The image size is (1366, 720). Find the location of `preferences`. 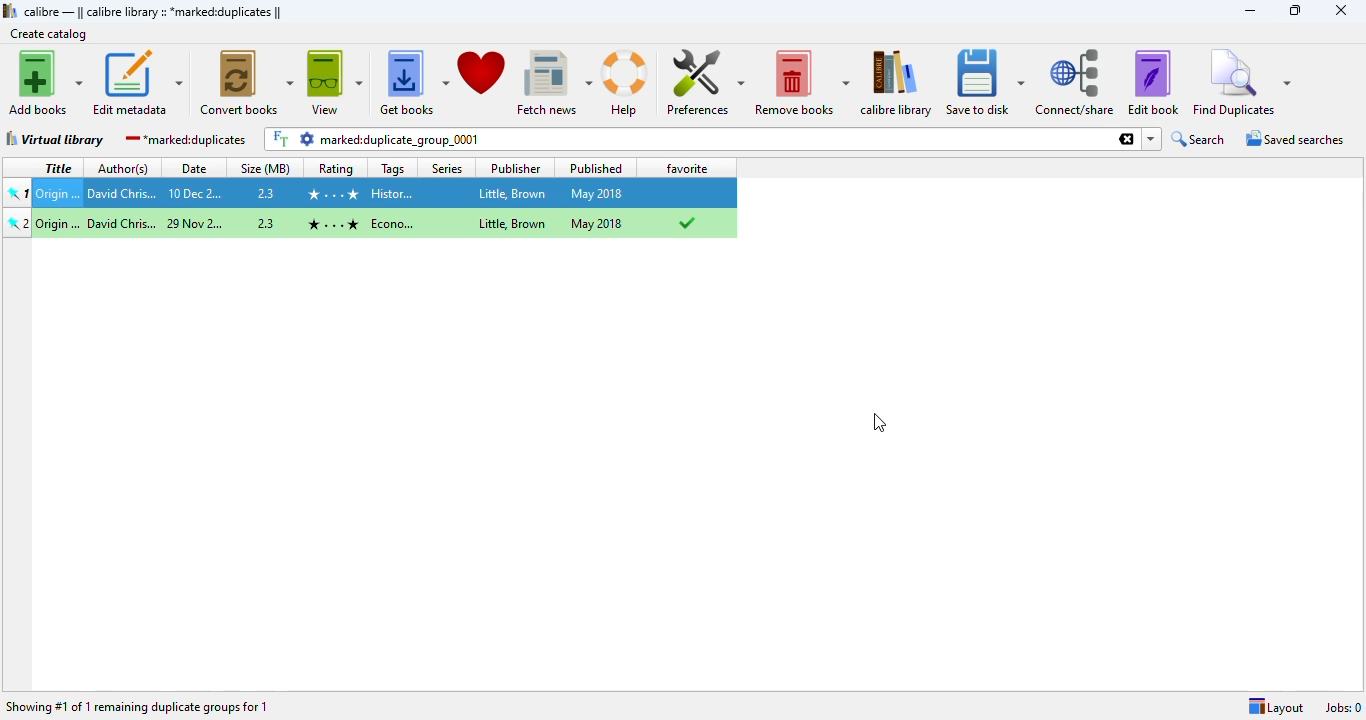

preferences is located at coordinates (704, 82).